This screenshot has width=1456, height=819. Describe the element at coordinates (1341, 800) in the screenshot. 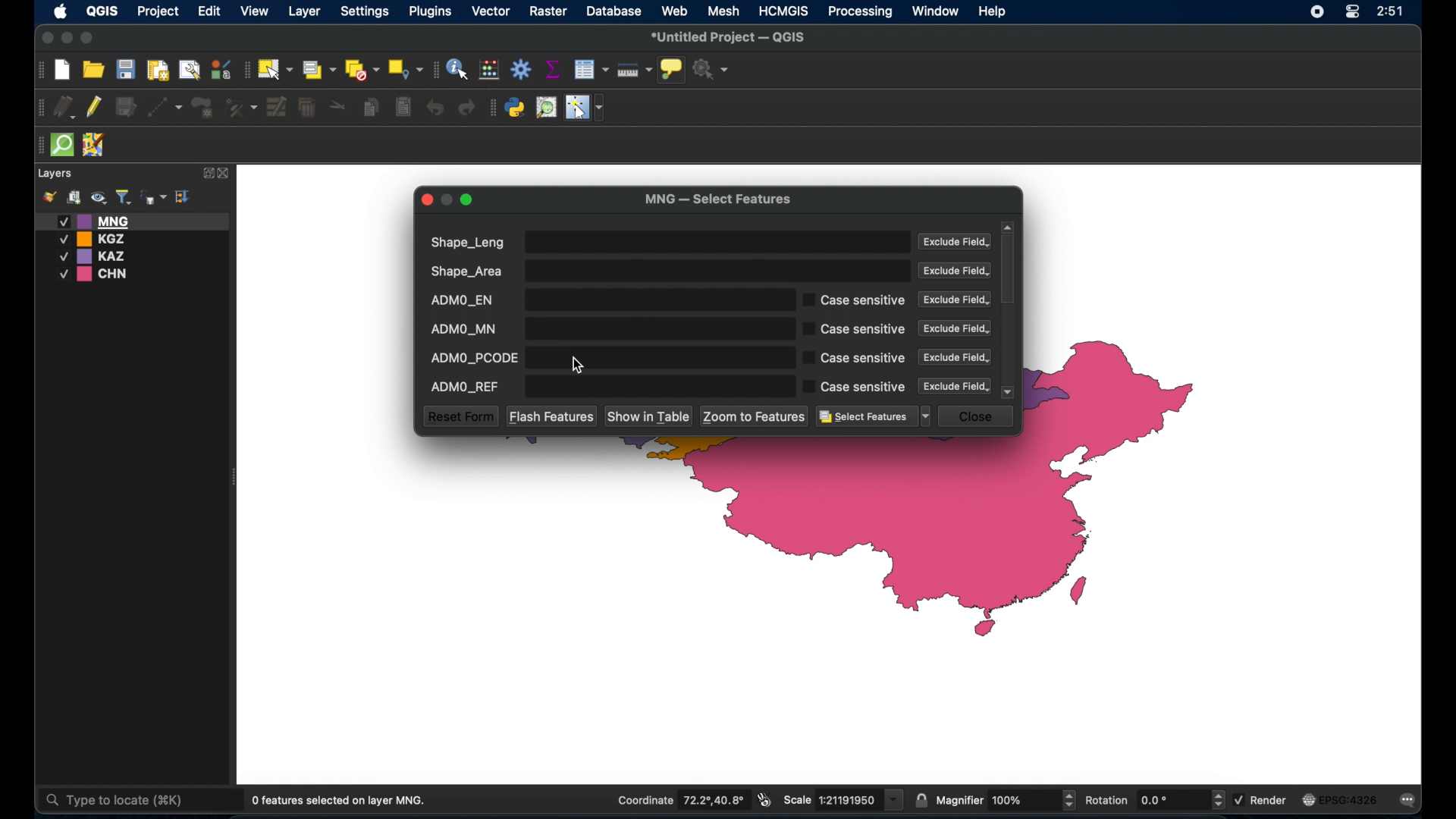

I see `EPSG:4326` at that location.